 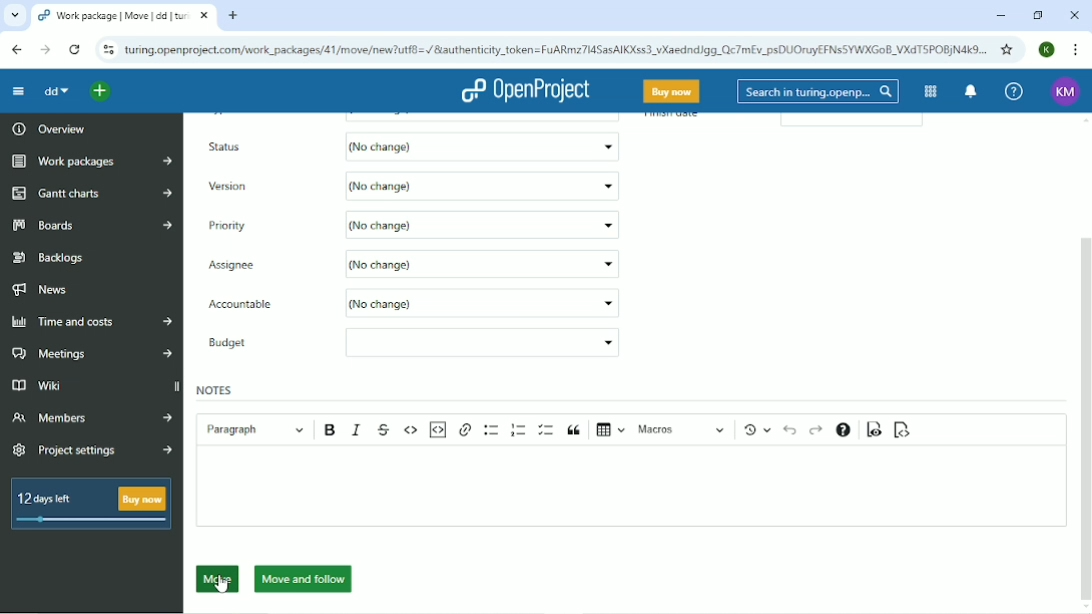 What do you see at coordinates (218, 579) in the screenshot?
I see `Move` at bounding box center [218, 579].